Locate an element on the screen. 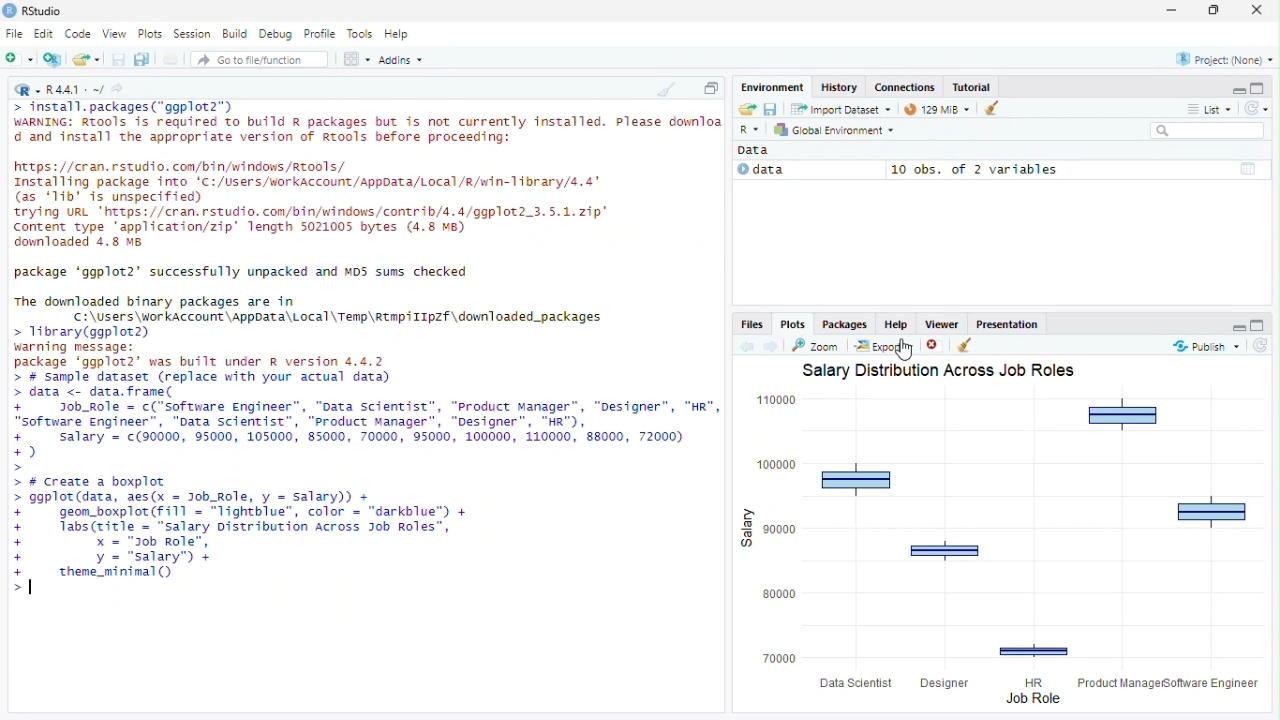  plots is located at coordinates (793, 323).